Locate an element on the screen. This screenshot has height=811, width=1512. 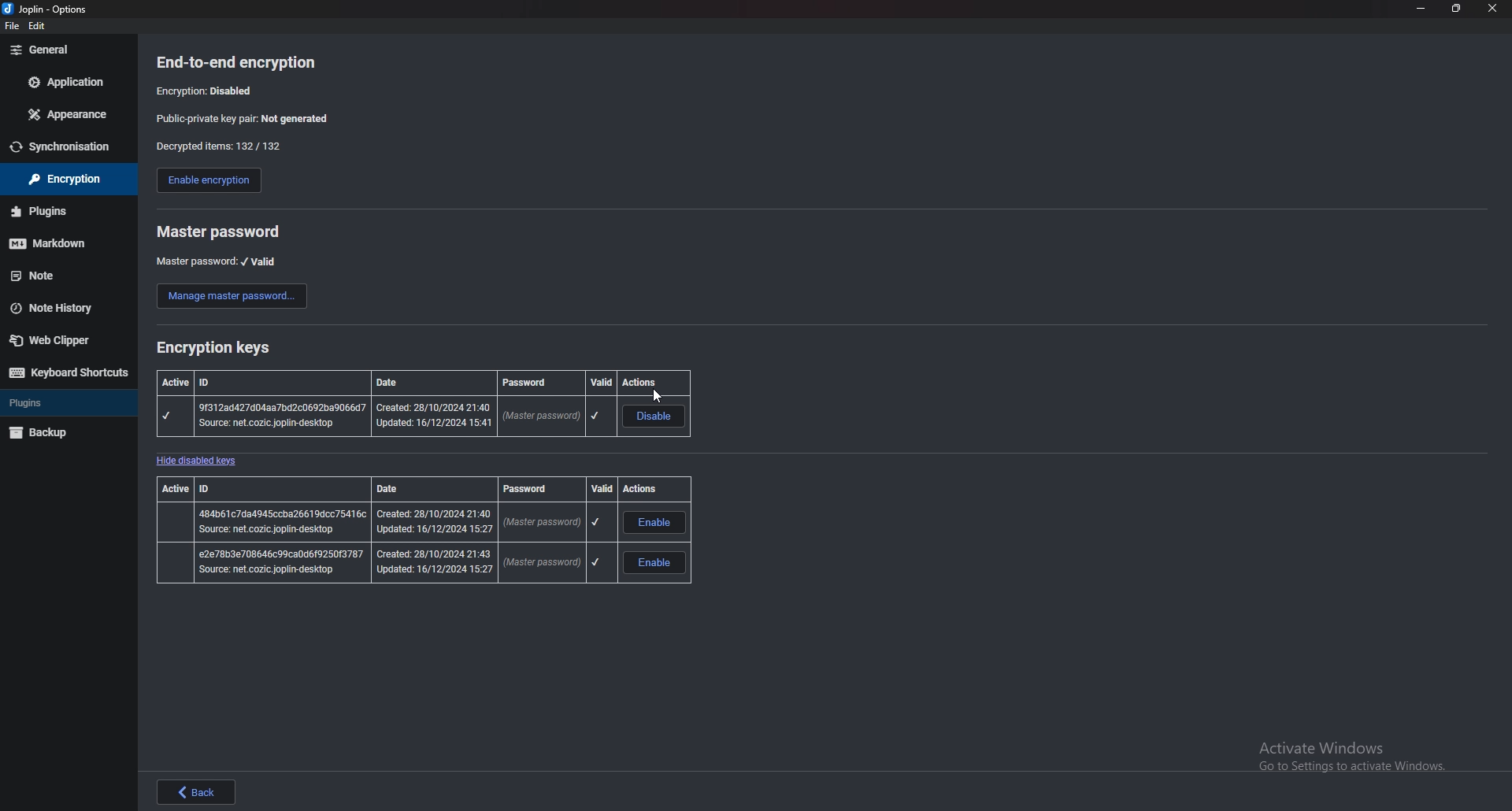
master password is located at coordinates (382, 415).